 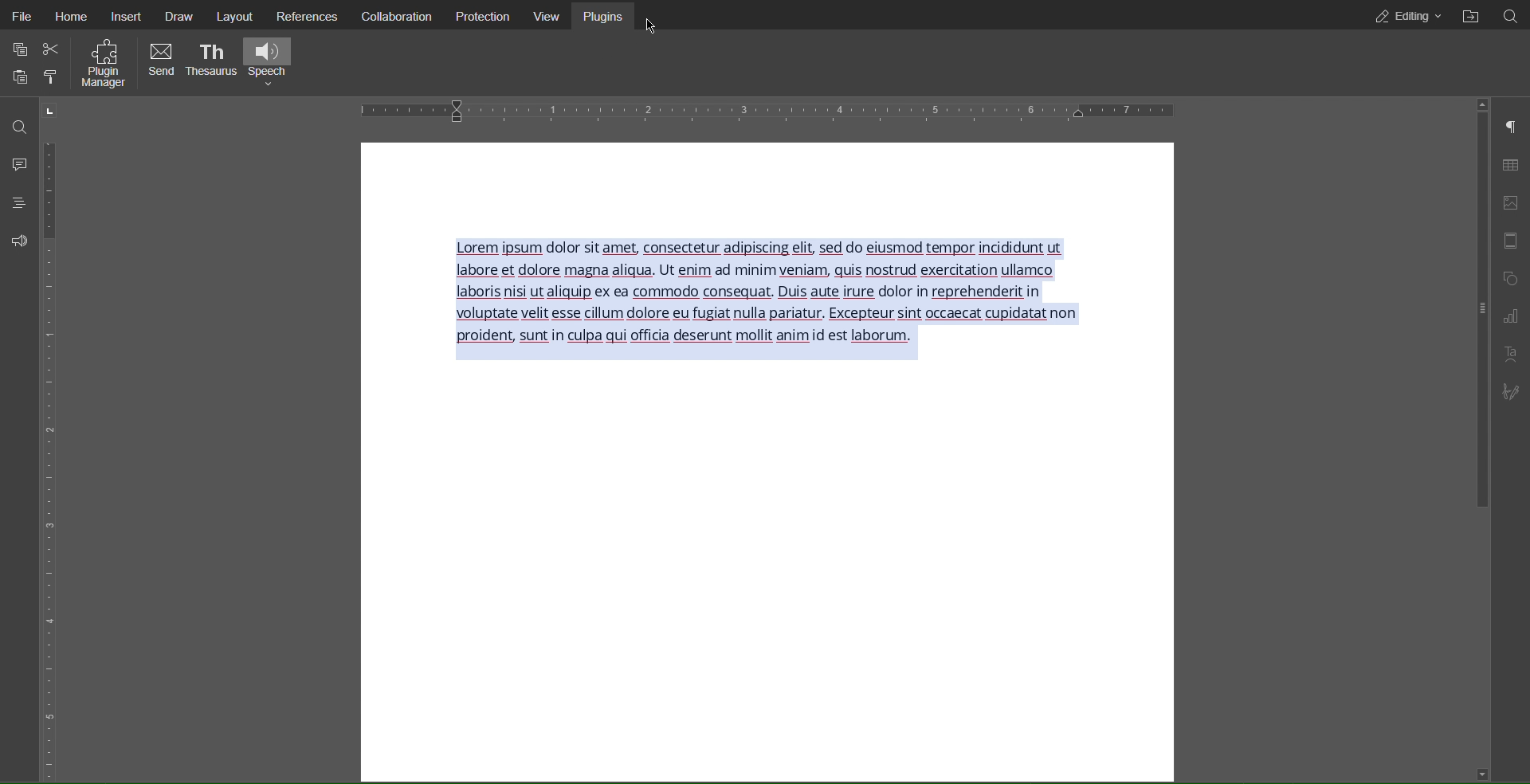 I want to click on Home, so click(x=77, y=18).